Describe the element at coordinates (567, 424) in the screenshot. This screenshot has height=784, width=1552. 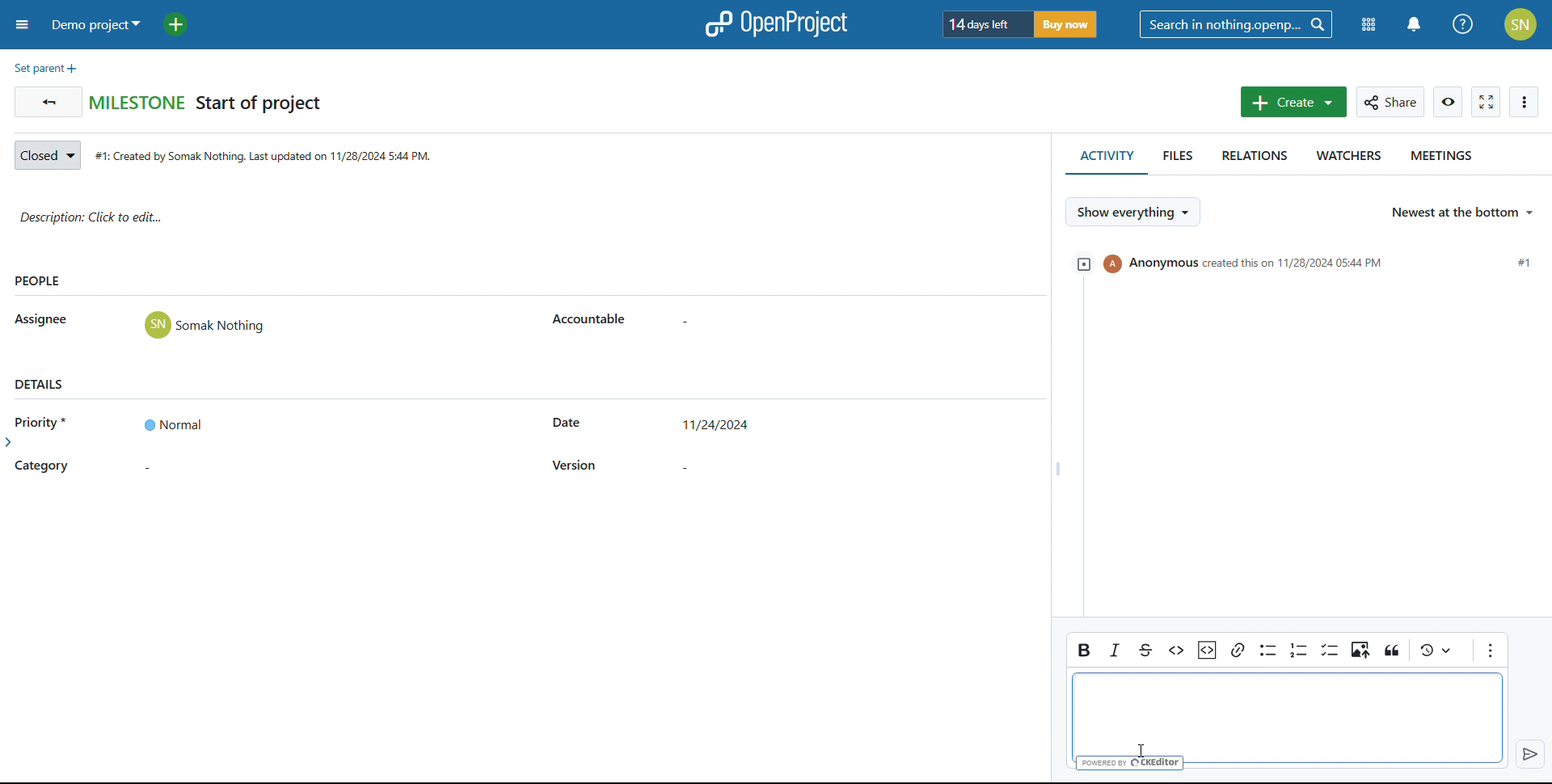
I see `start date` at that location.